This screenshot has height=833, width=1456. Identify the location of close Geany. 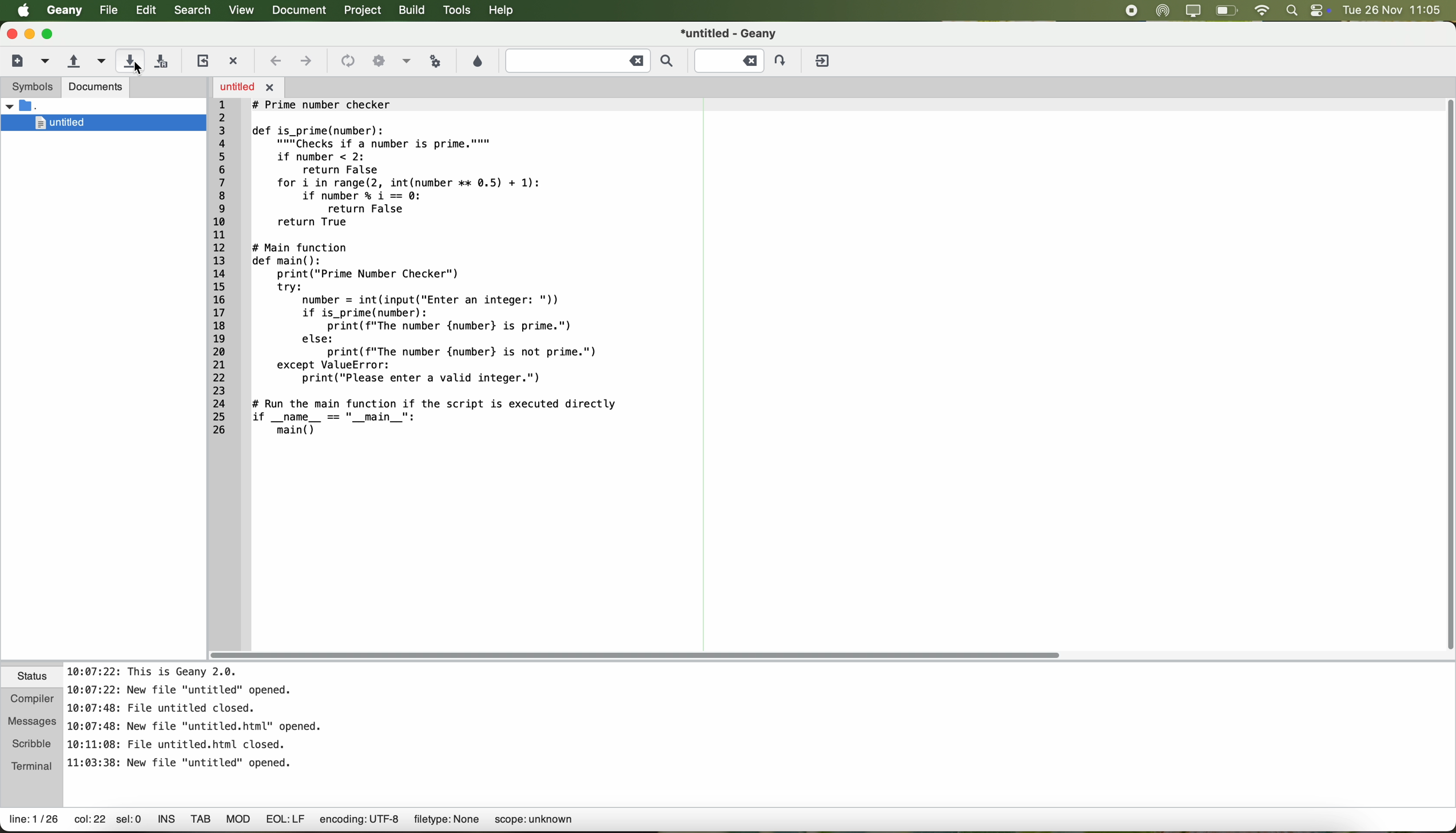
(10, 31).